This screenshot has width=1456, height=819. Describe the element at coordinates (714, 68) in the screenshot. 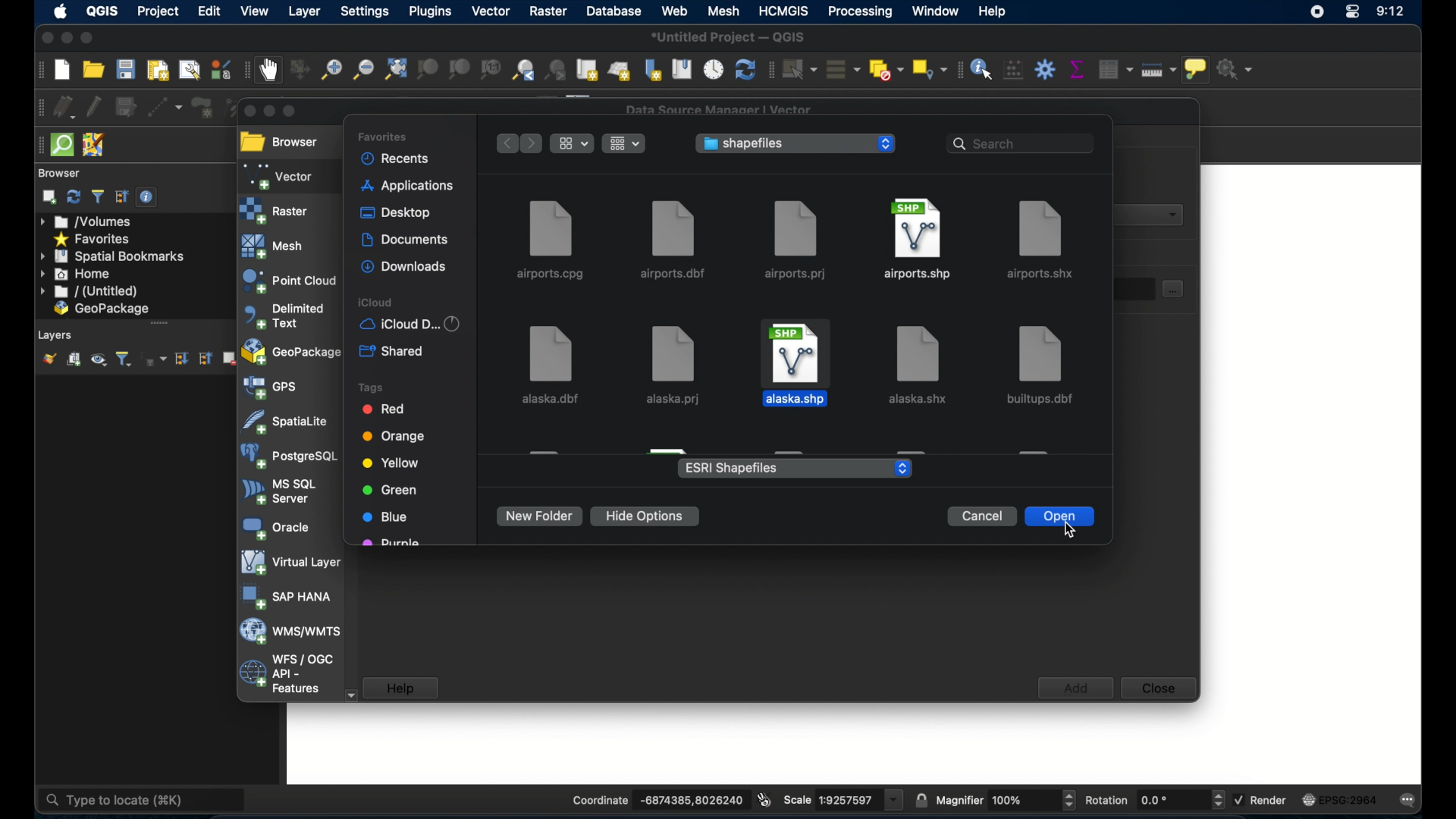

I see `temporal controller panel` at that location.